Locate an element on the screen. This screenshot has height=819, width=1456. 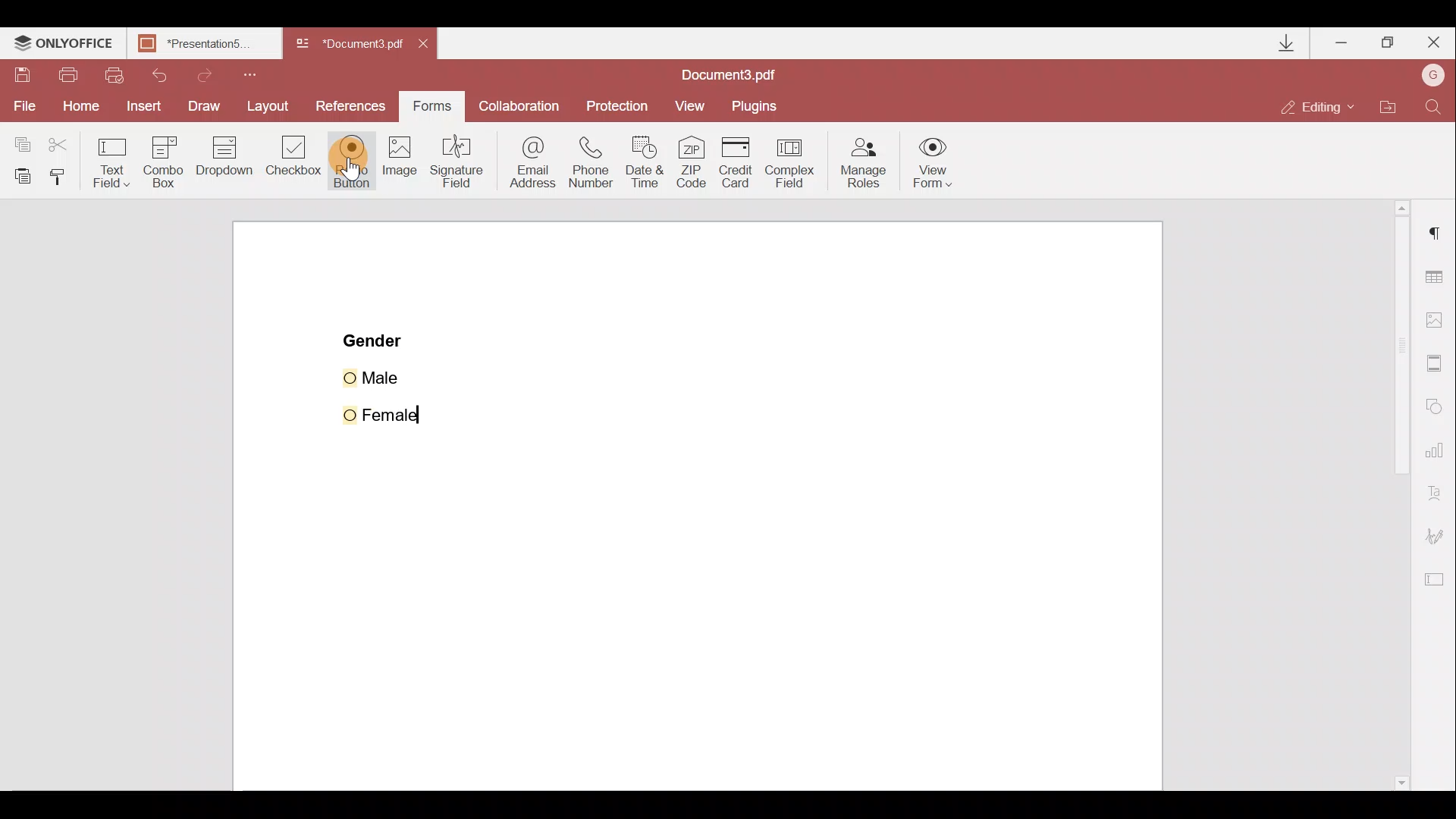
Headers & footers settings is located at coordinates (1436, 366).